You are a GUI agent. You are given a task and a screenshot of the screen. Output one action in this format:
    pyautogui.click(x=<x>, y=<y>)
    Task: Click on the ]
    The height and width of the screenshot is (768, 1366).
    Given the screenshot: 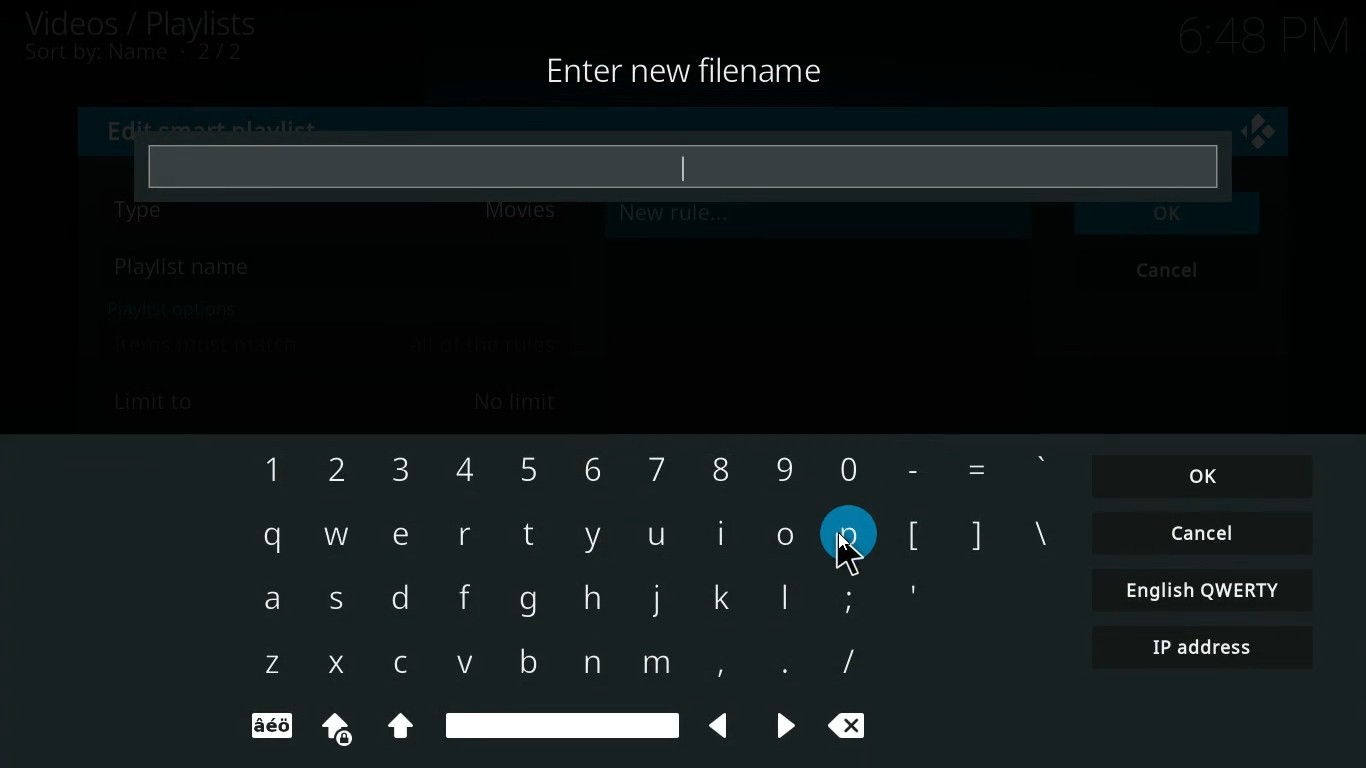 What is the action you would take?
    pyautogui.click(x=975, y=533)
    